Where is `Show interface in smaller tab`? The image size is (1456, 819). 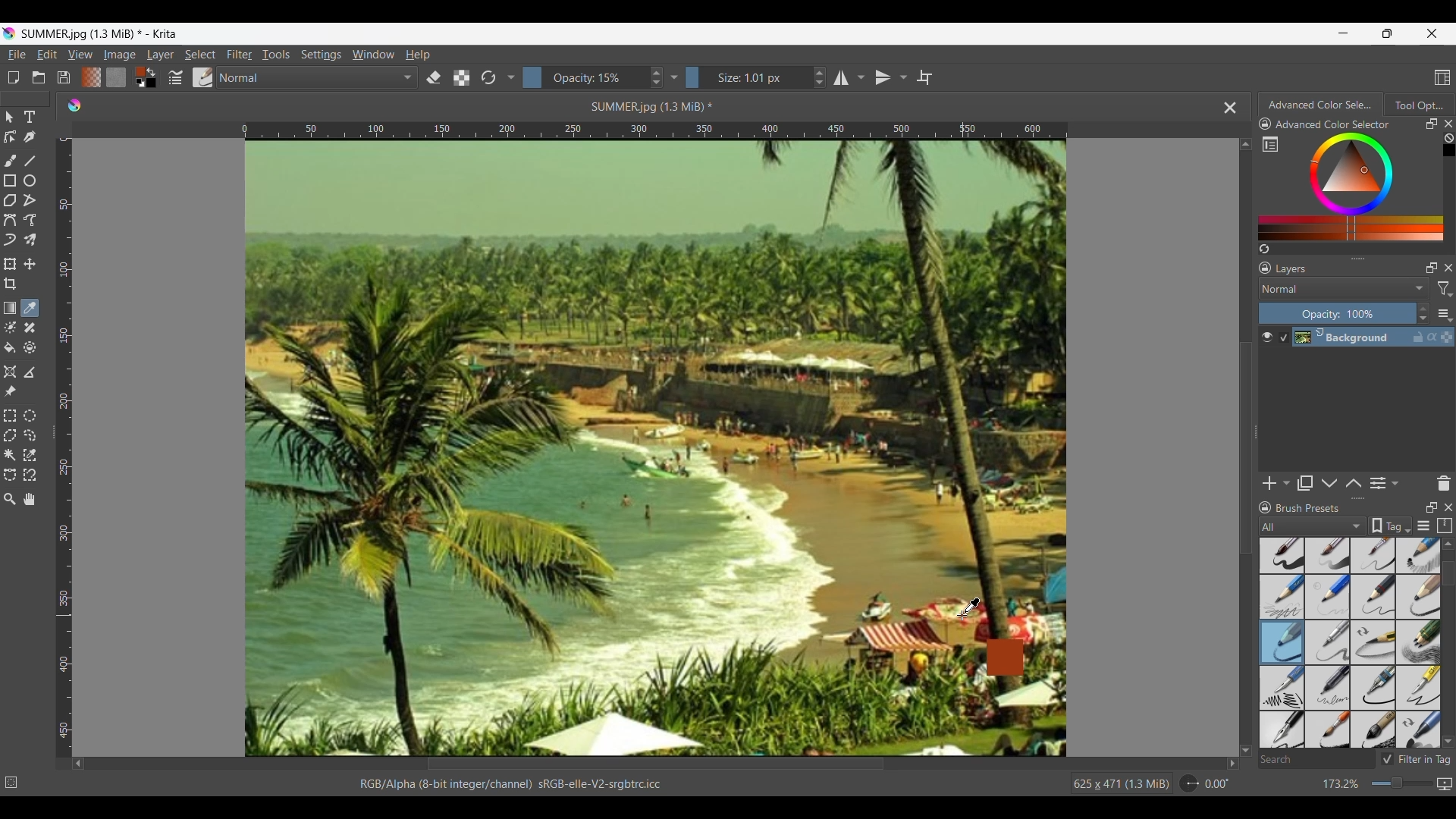 Show interface in smaller tab is located at coordinates (1388, 33).